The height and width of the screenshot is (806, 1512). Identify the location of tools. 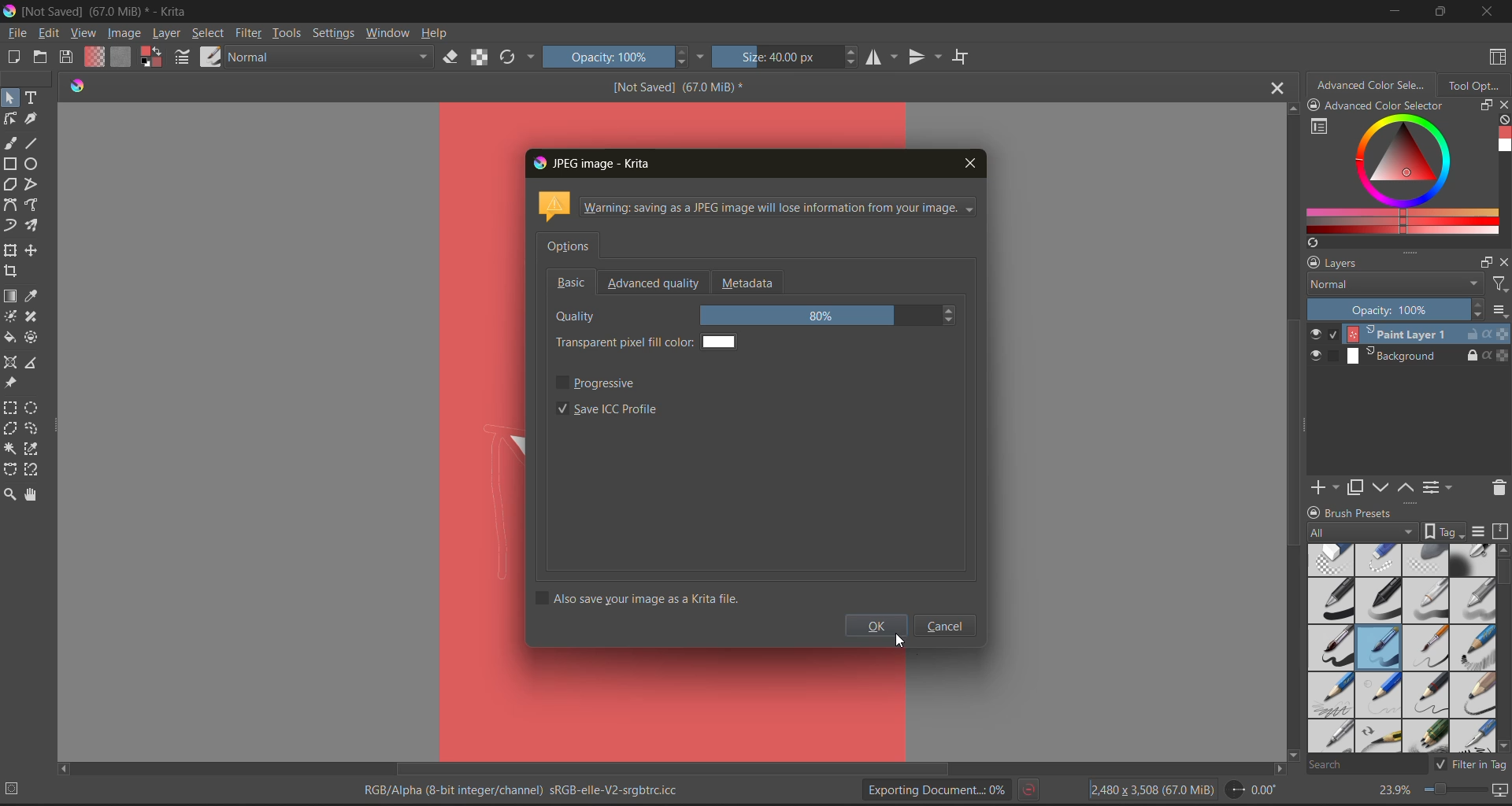
(9, 493).